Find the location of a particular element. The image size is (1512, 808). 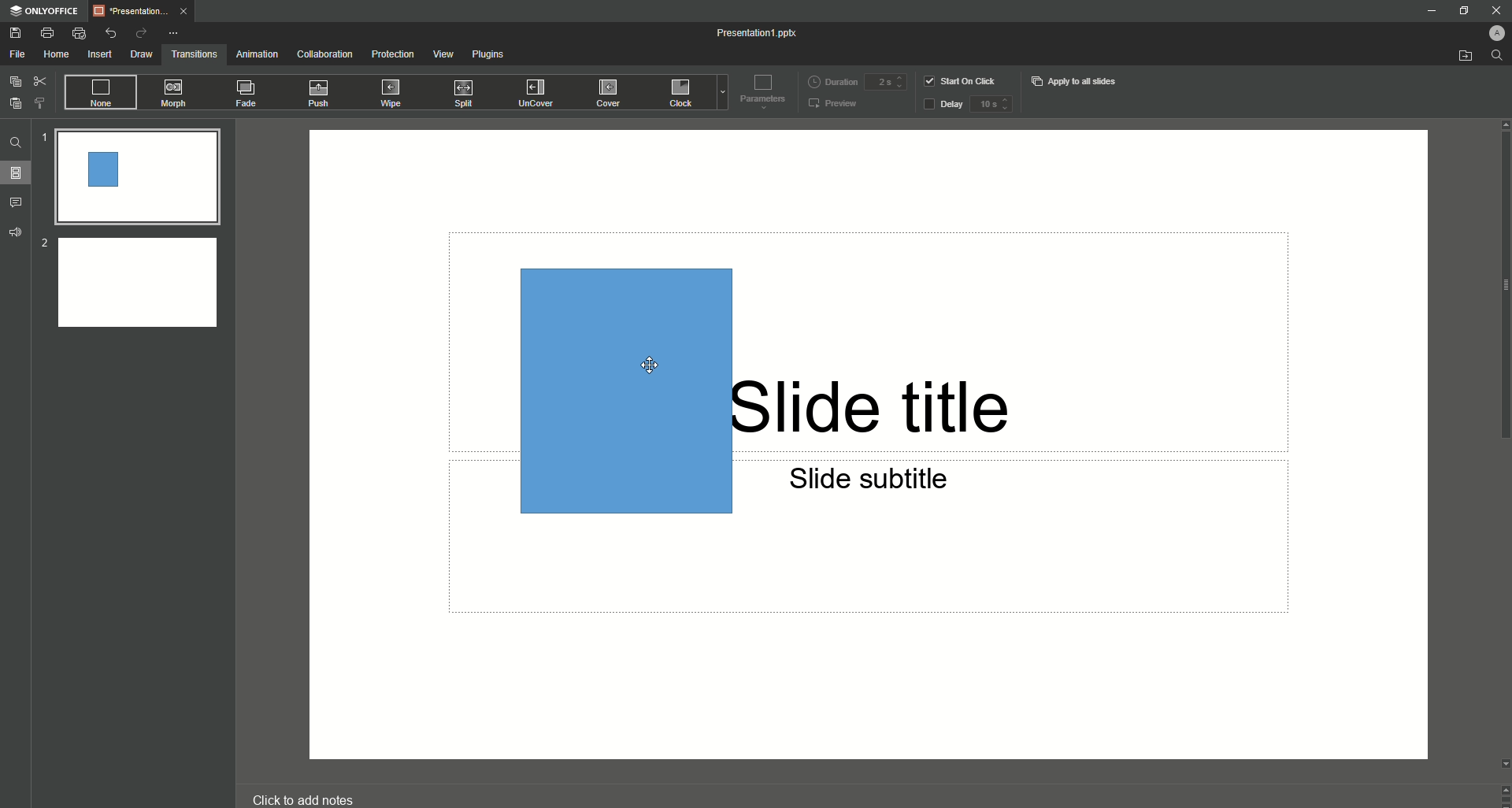

Push is located at coordinates (318, 92).